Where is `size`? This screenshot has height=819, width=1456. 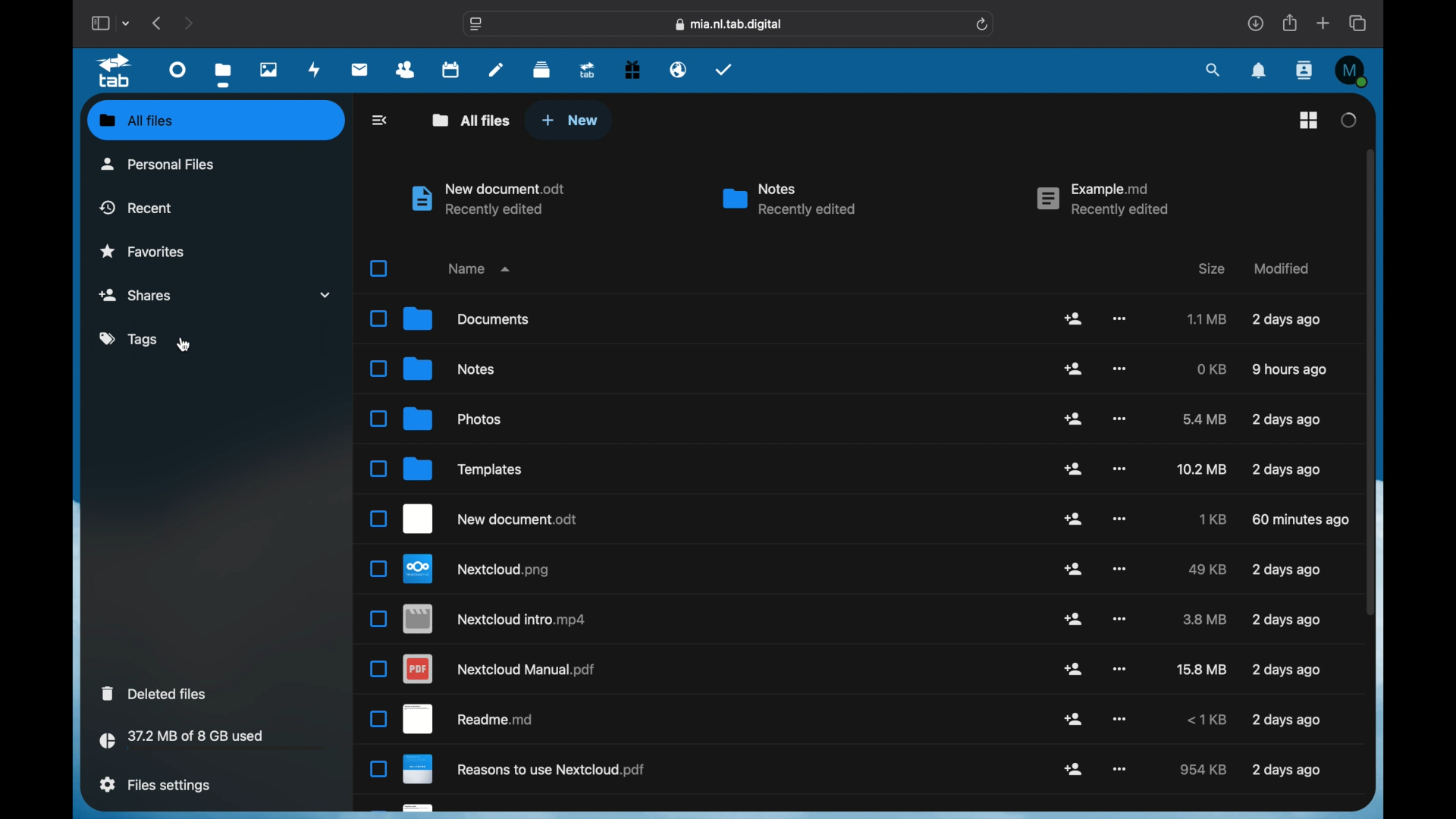 size is located at coordinates (1212, 369).